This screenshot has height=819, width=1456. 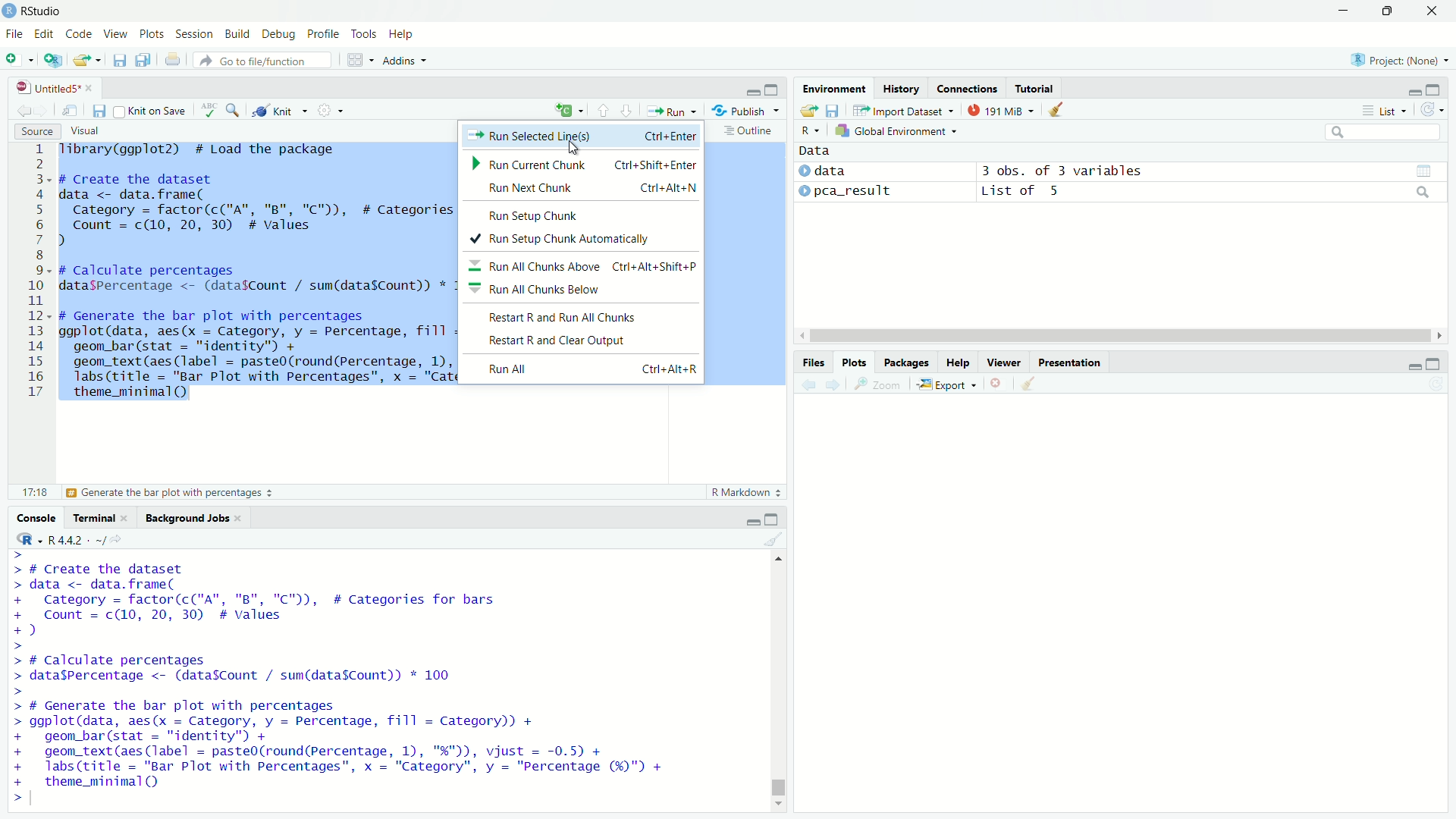 I want to click on build, so click(x=241, y=36).